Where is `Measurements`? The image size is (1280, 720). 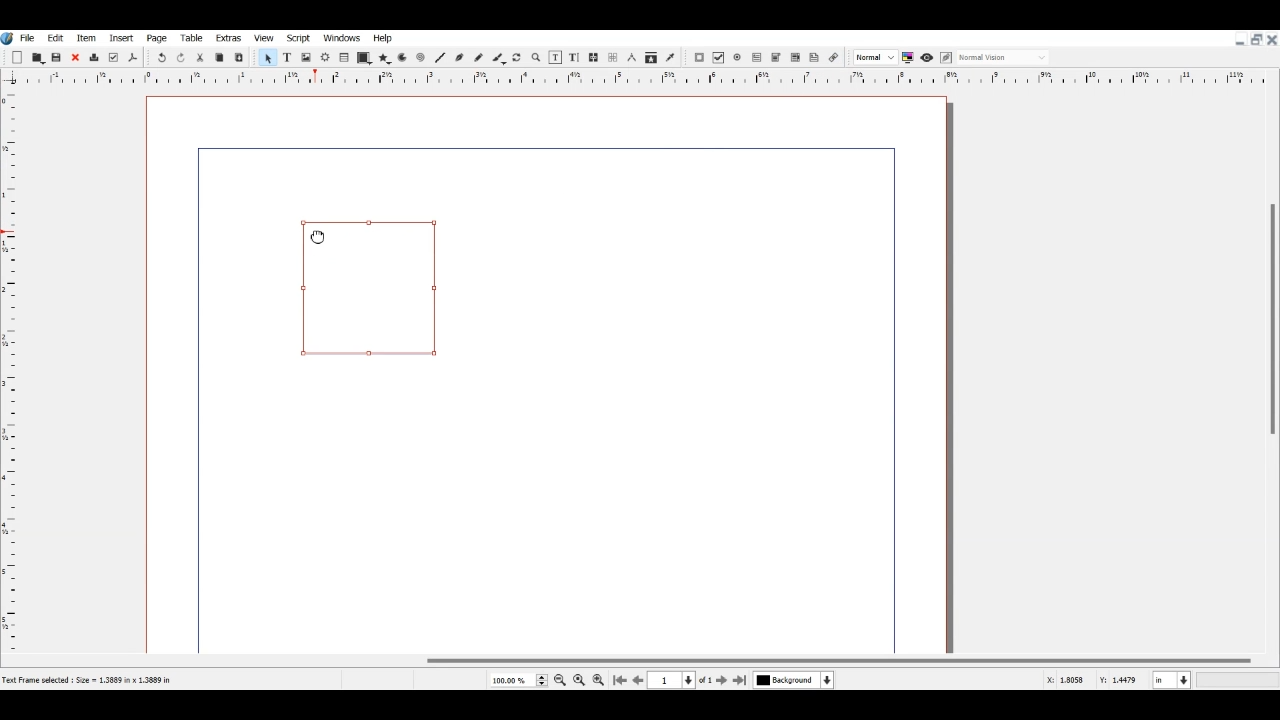 Measurements is located at coordinates (631, 58).